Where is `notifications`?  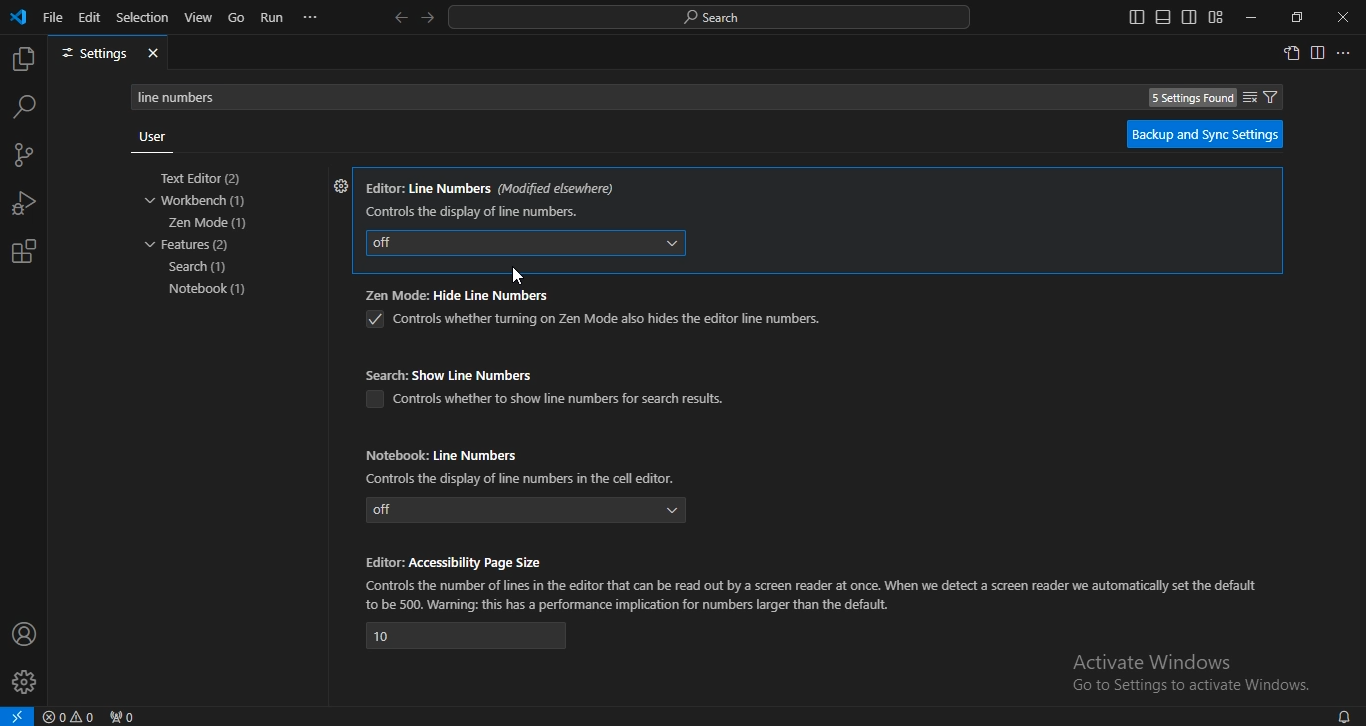 notifications is located at coordinates (1343, 715).